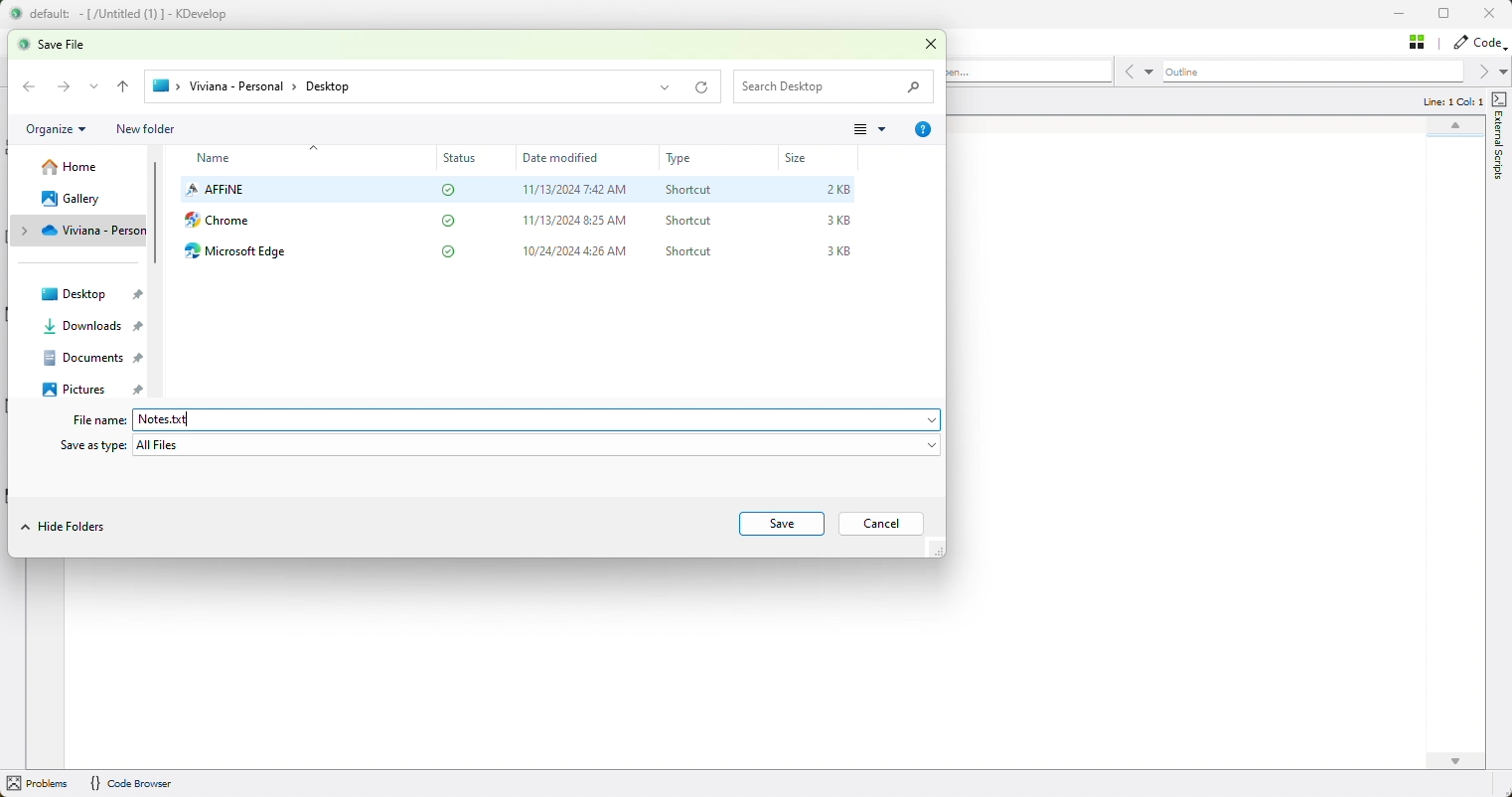  What do you see at coordinates (82, 230) in the screenshot?
I see `save location` at bounding box center [82, 230].